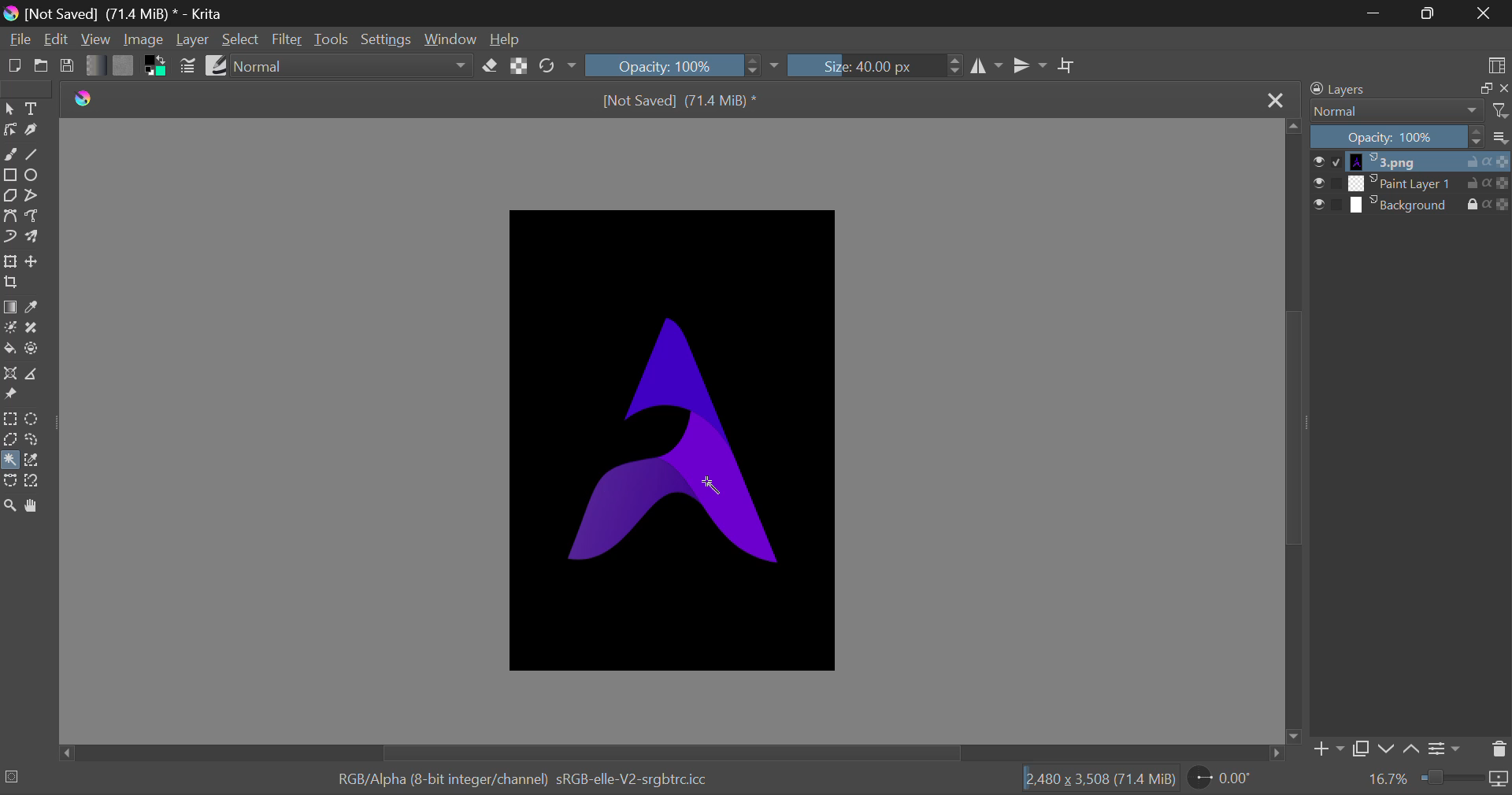  What do you see at coordinates (1102, 780) in the screenshot?
I see `[2.480 x 3,508 (71.4 MiB)` at bounding box center [1102, 780].